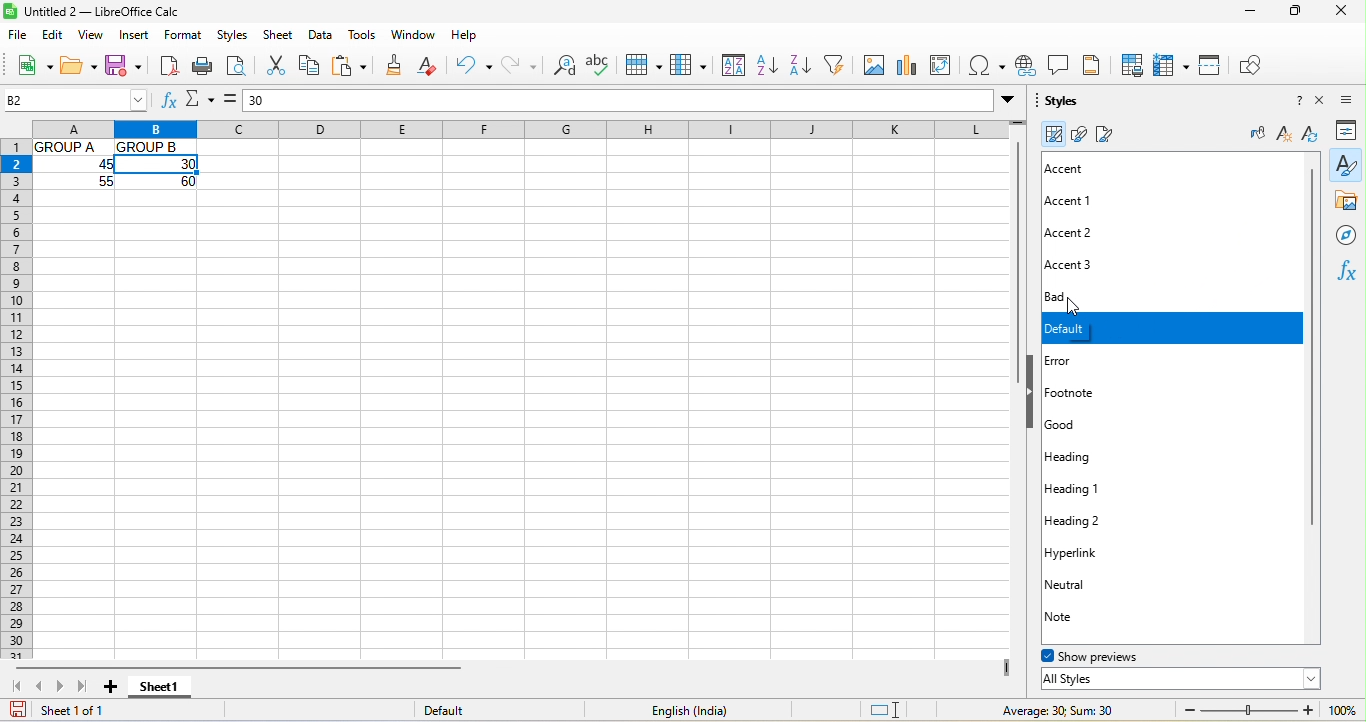 The width and height of the screenshot is (1366, 722). I want to click on save, so click(15, 710).